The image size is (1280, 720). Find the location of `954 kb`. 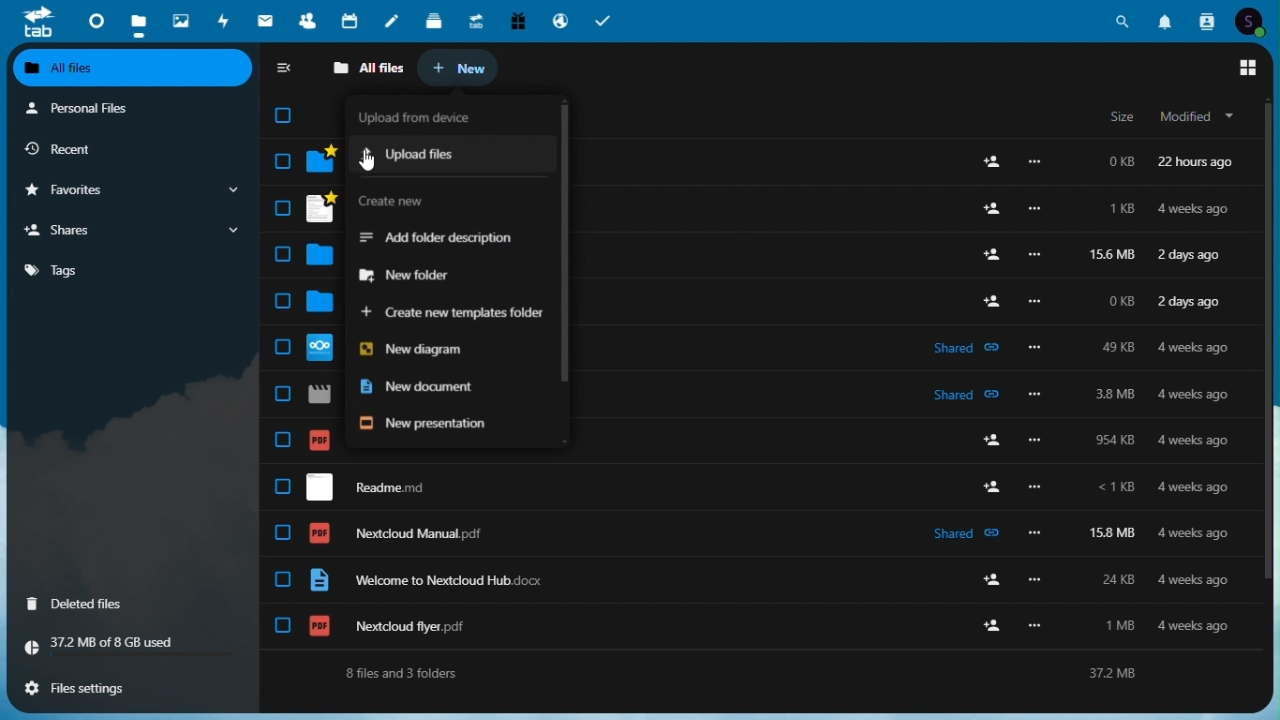

954 kb is located at coordinates (1120, 441).